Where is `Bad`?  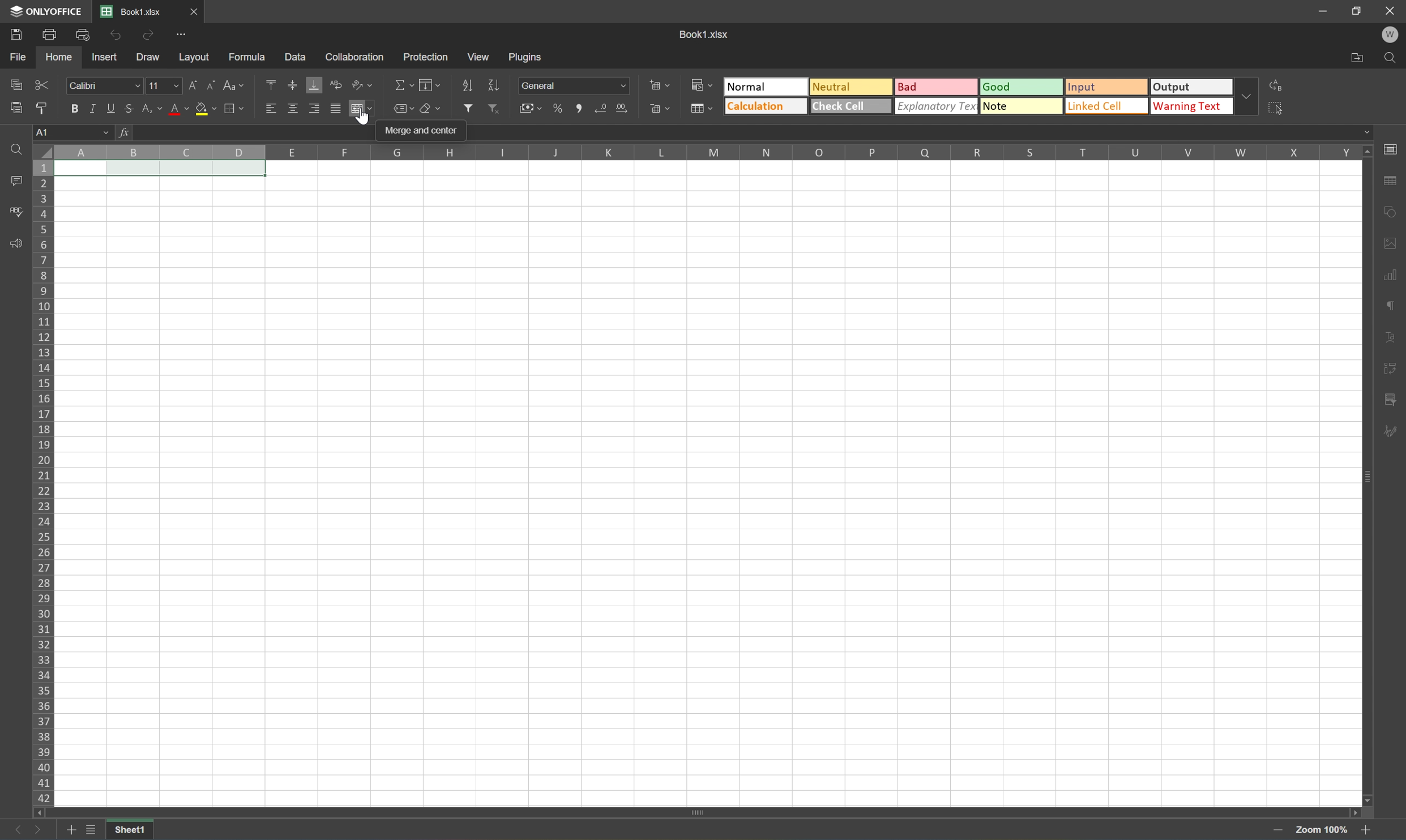 Bad is located at coordinates (937, 88).